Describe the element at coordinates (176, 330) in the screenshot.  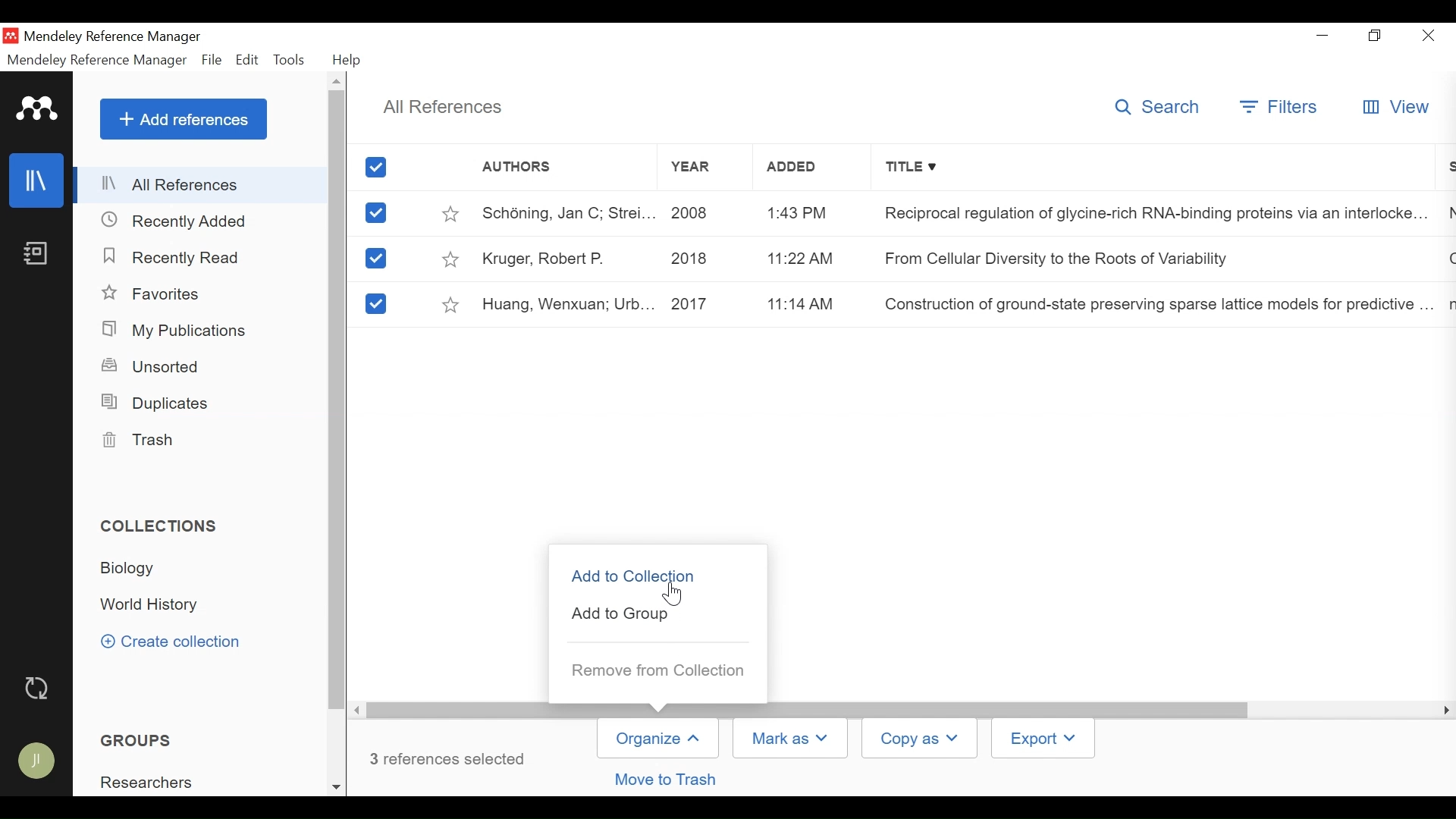
I see `My Publications` at that location.